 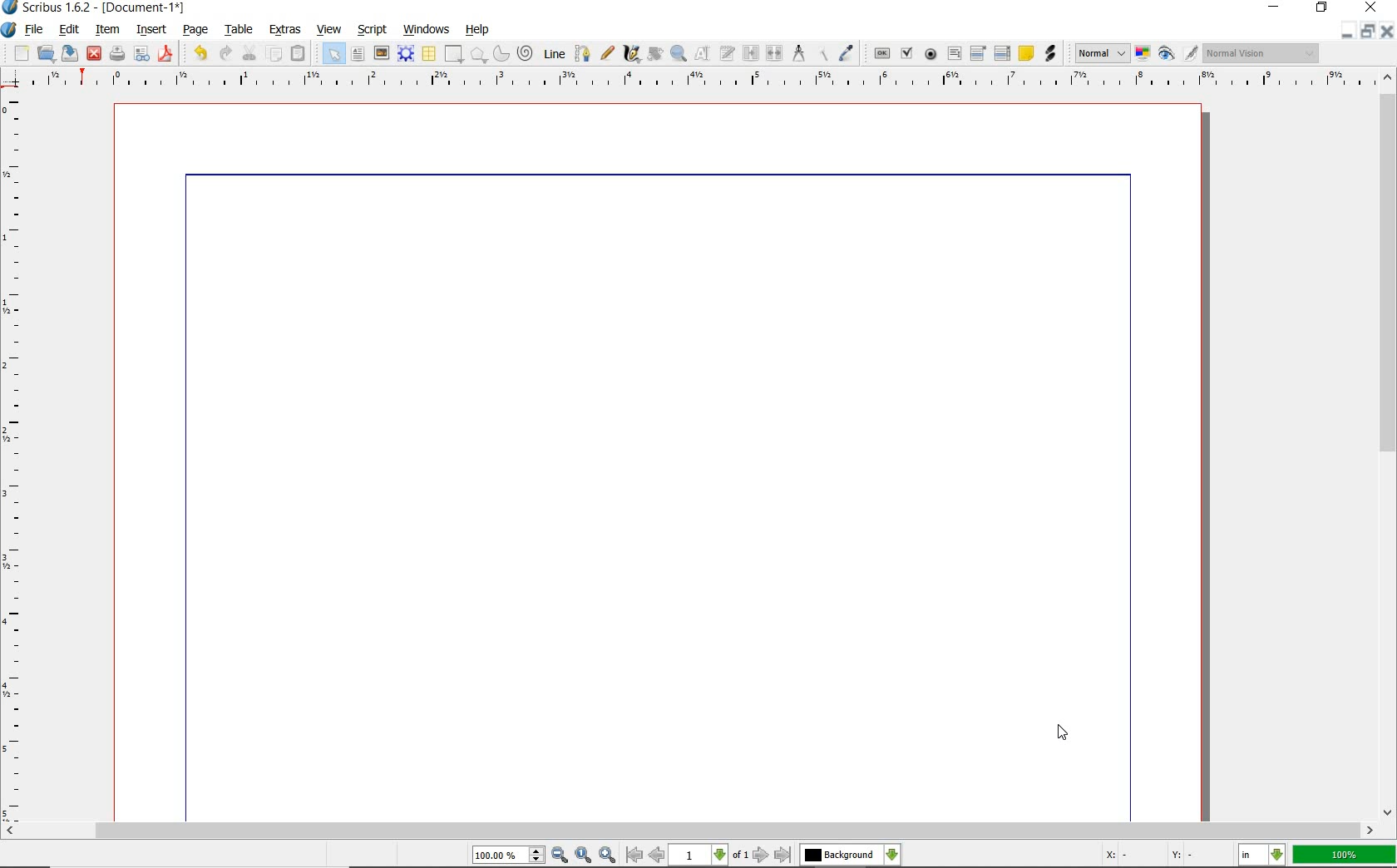 I want to click on link text frames, so click(x=751, y=54).